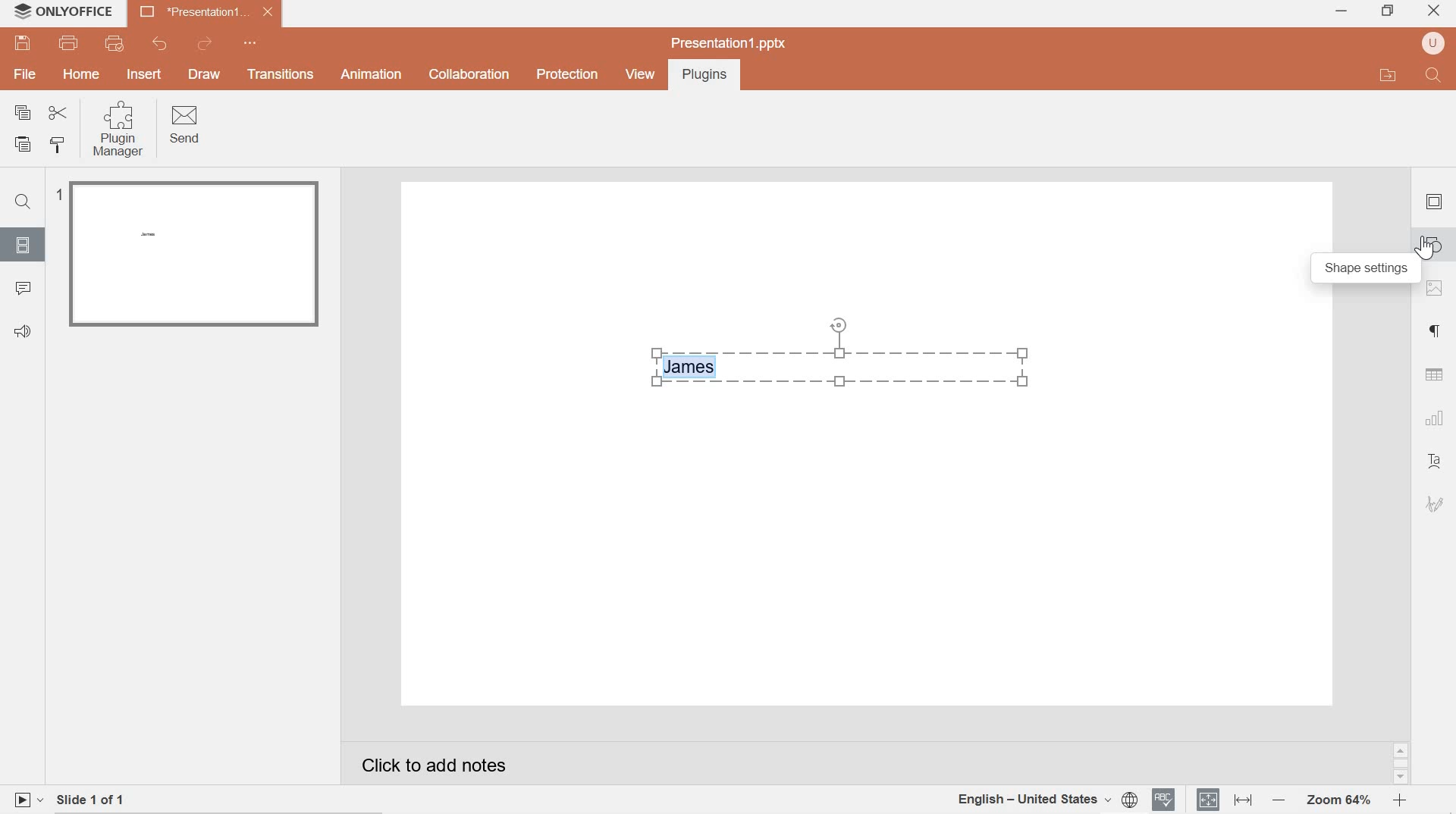 Image resolution: width=1456 pixels, height=814 pixels. I want to click on Click to add notes, so click(454, 761).